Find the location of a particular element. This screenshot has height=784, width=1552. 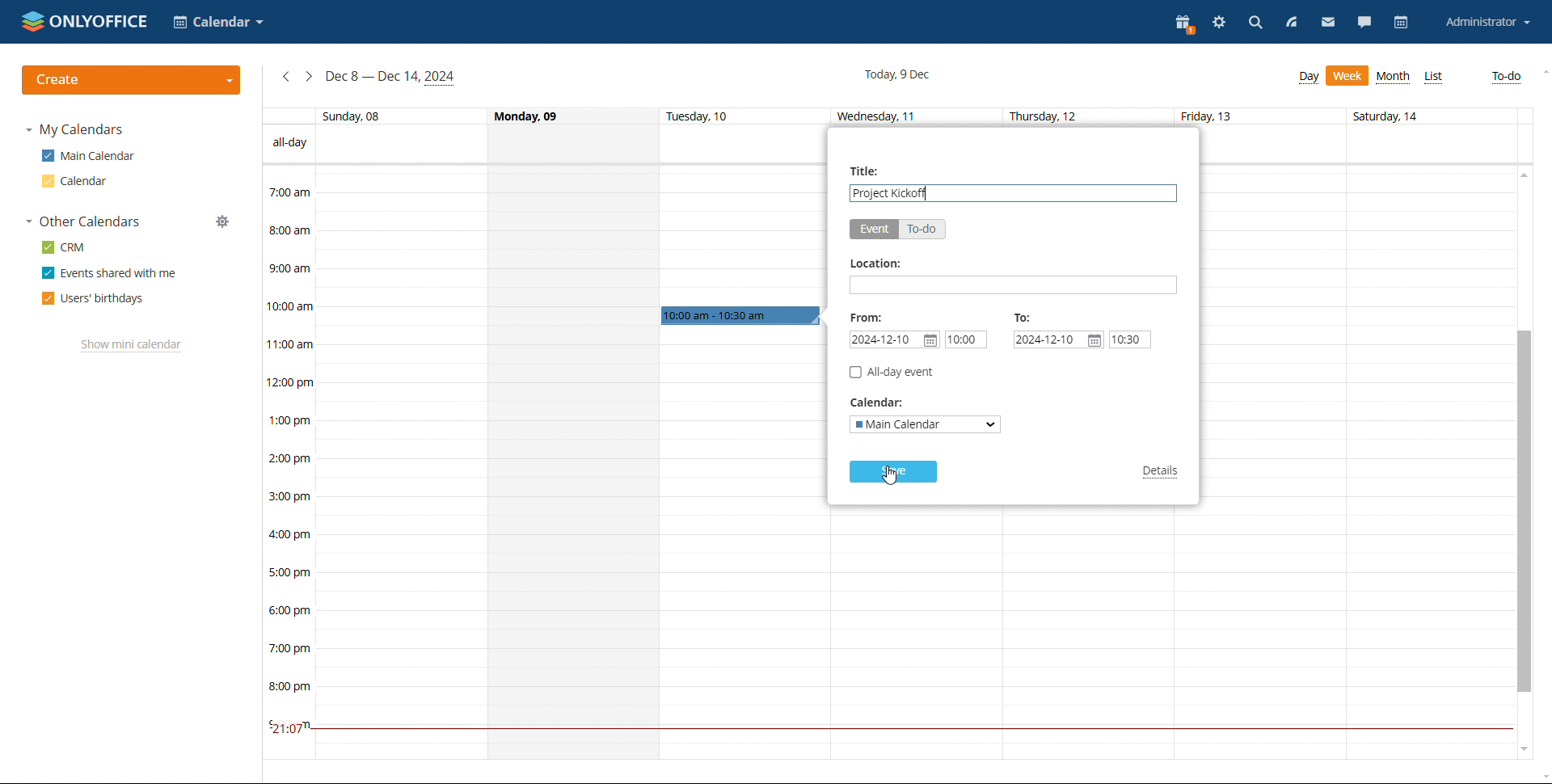

timeline is located at coordinates (286, 462).